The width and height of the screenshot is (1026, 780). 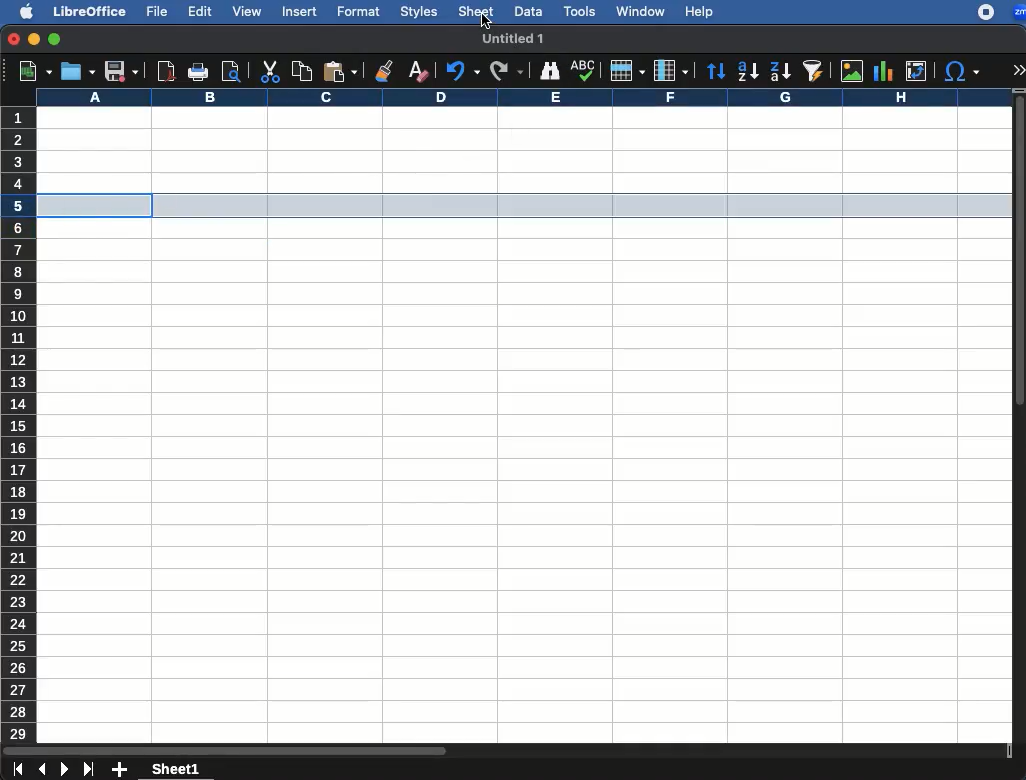 What do you see at coordinates (780, 71) in the screenshot?
I see `descending` at bounding box center [780, 71].